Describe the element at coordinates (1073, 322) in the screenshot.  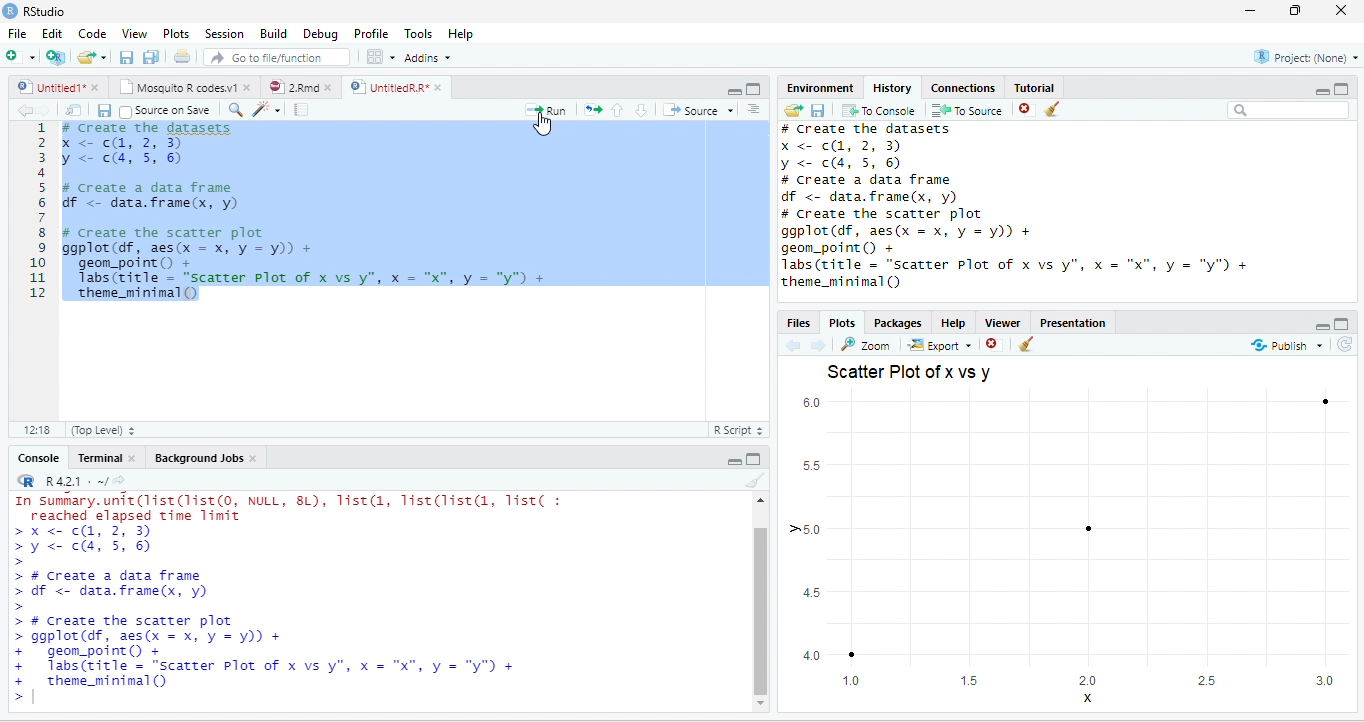
I see `Presentation` at that location.